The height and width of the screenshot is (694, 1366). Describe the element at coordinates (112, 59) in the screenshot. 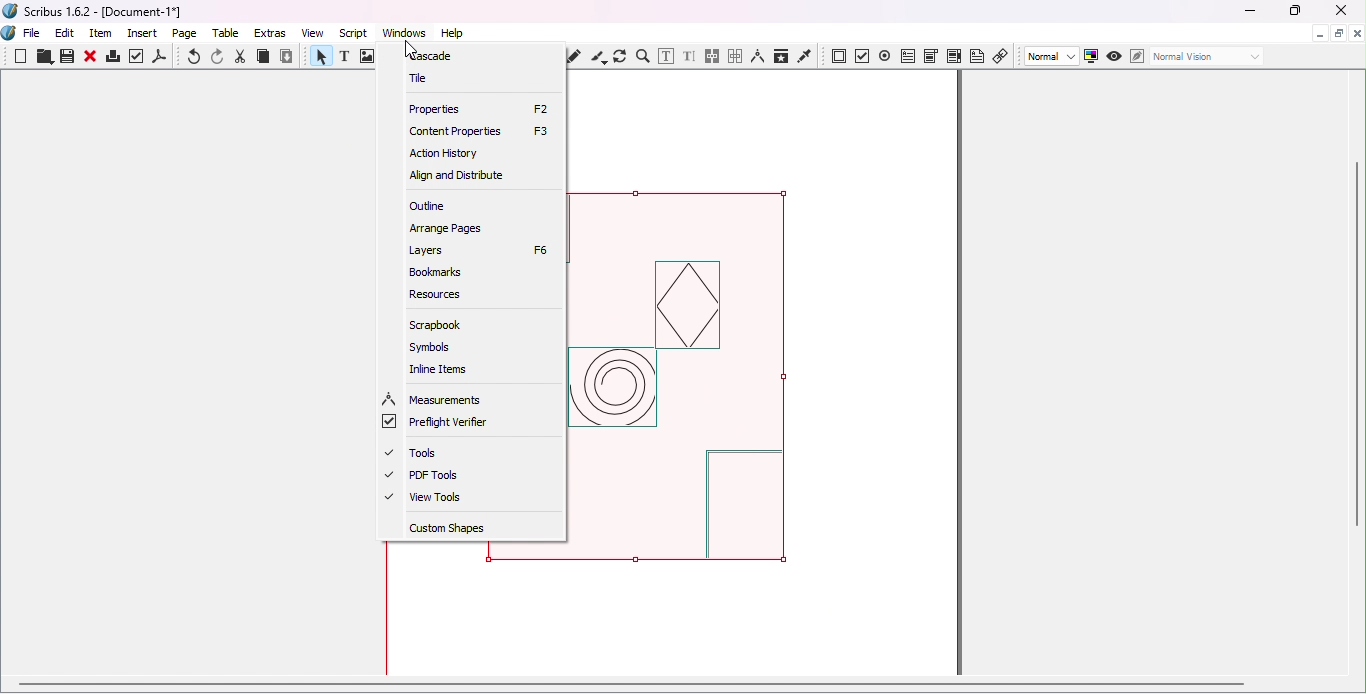

I see `Print` at that location.